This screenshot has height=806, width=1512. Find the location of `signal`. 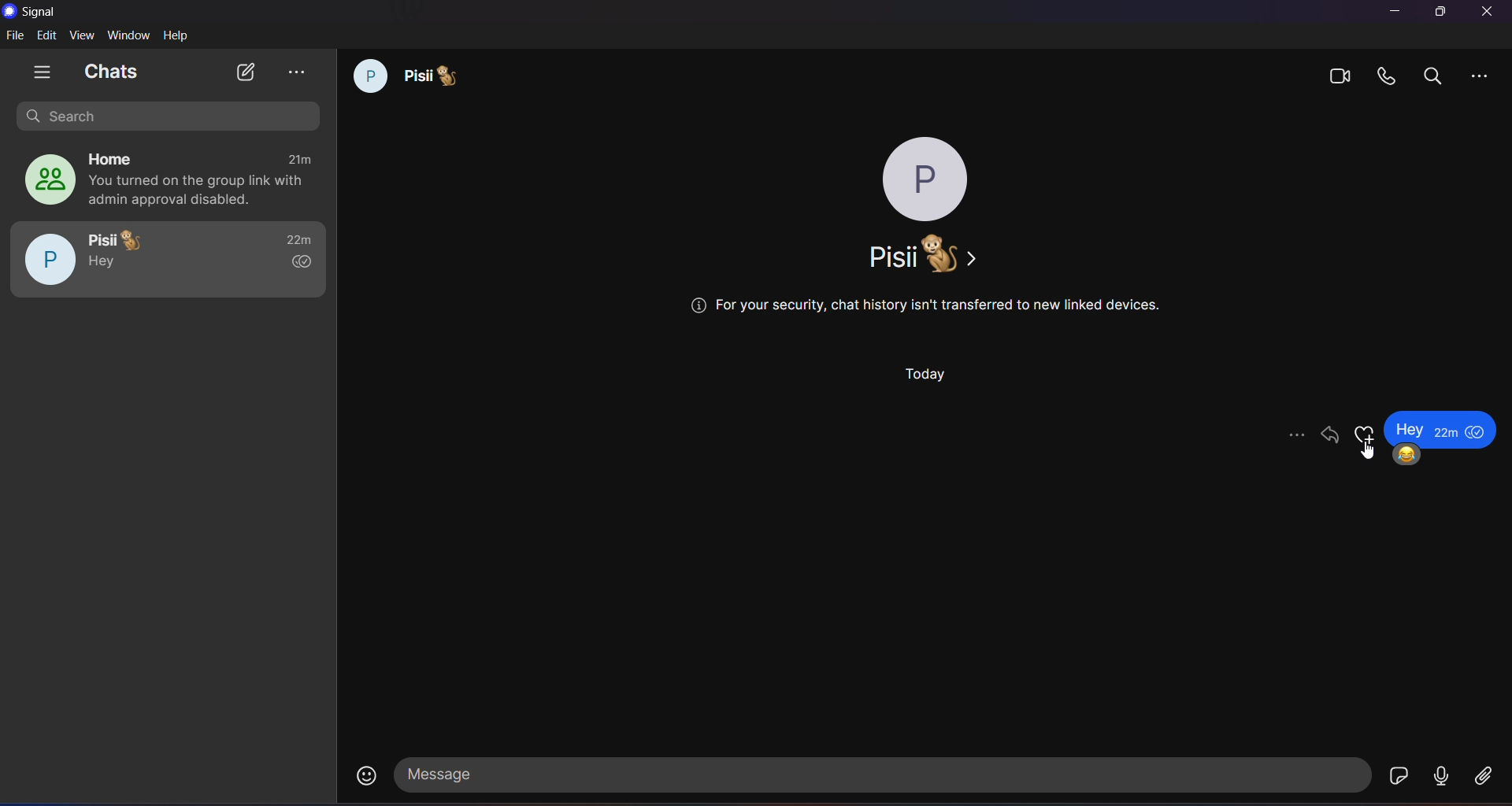

signal is located at coordinates (38, 12).